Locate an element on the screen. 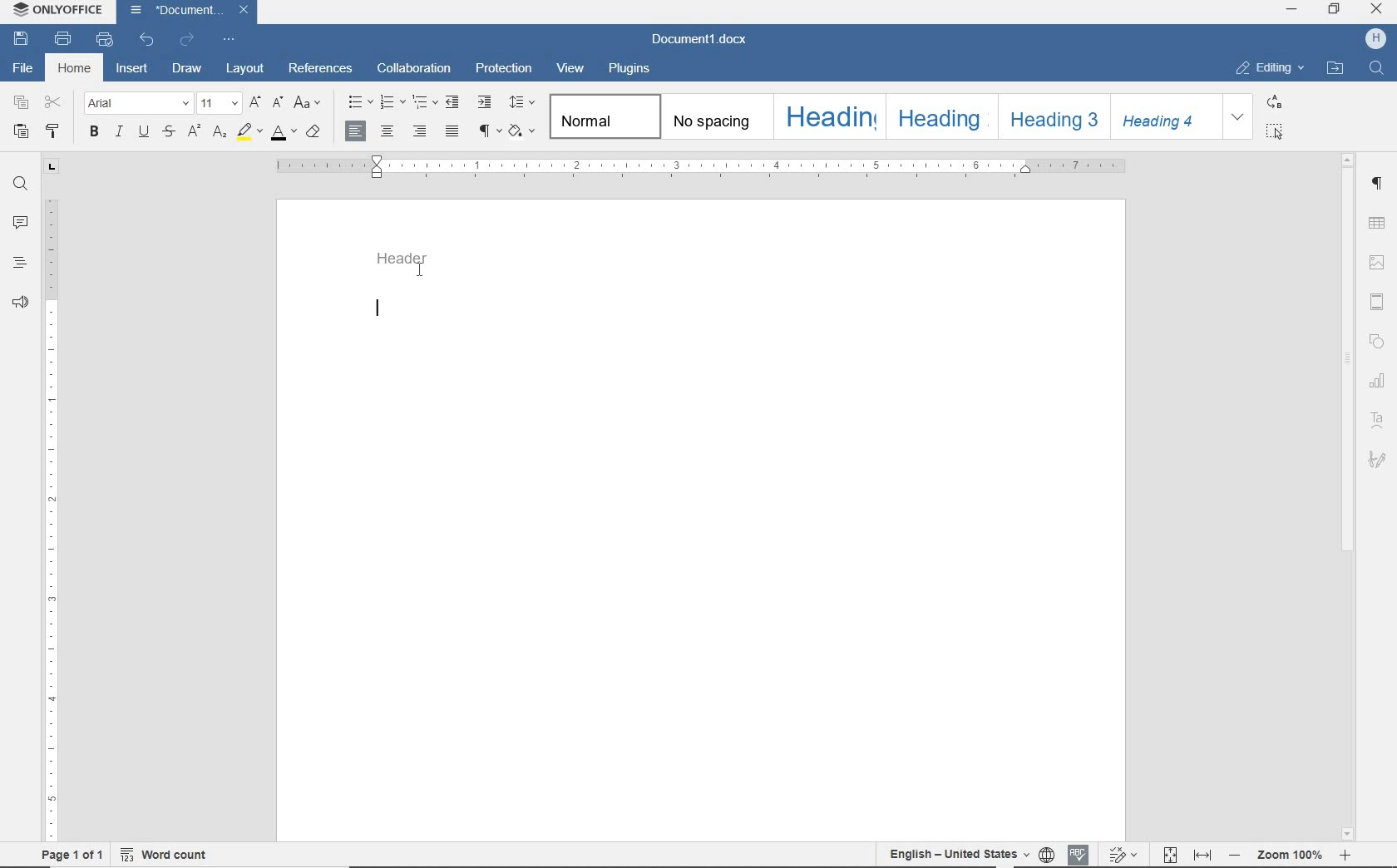 This screenshot has height=868, width=1397. scrollbar is located at coordinates (1348, 367).